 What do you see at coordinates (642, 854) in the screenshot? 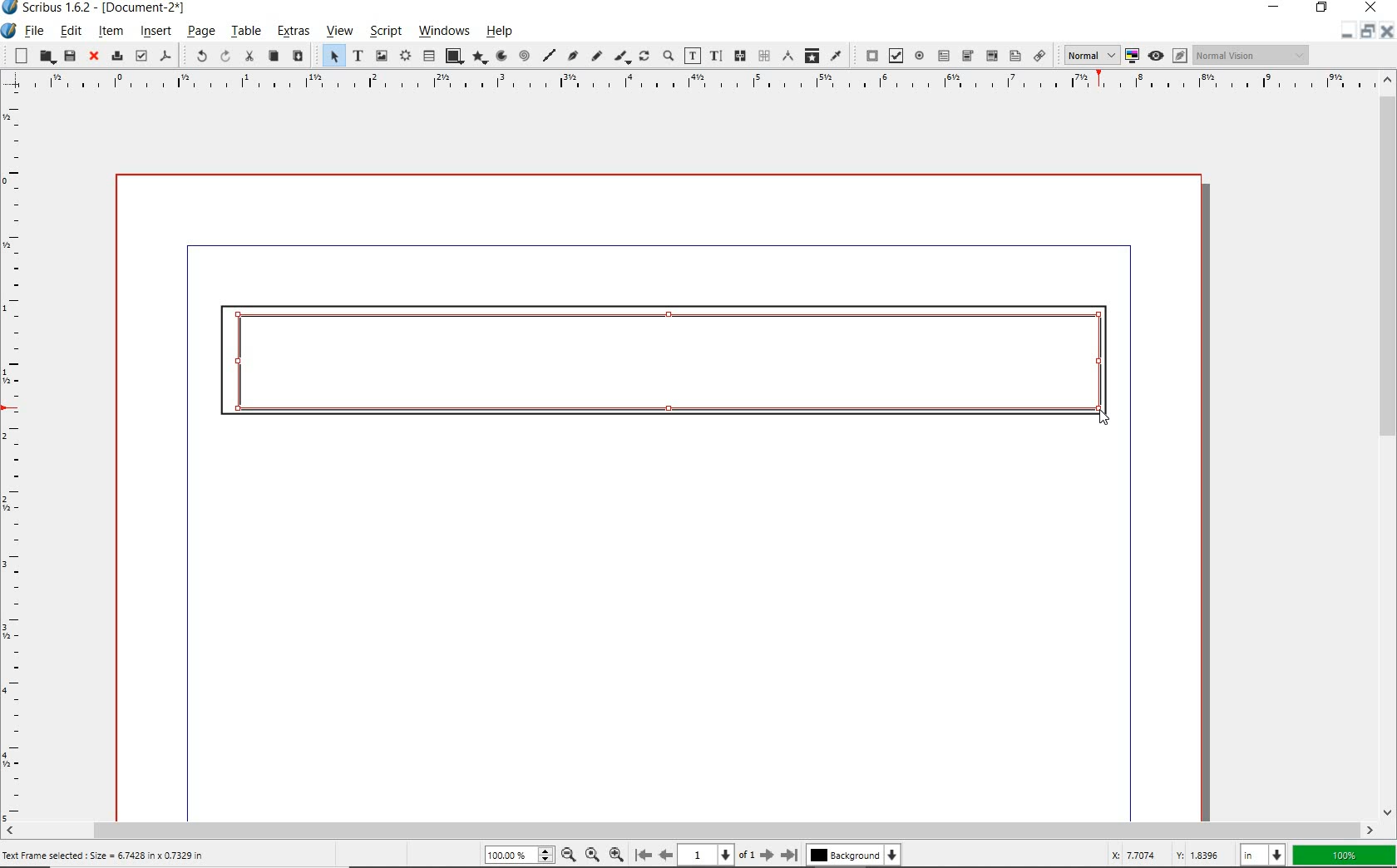
I see `move to first` at bounding box center [642, 854].